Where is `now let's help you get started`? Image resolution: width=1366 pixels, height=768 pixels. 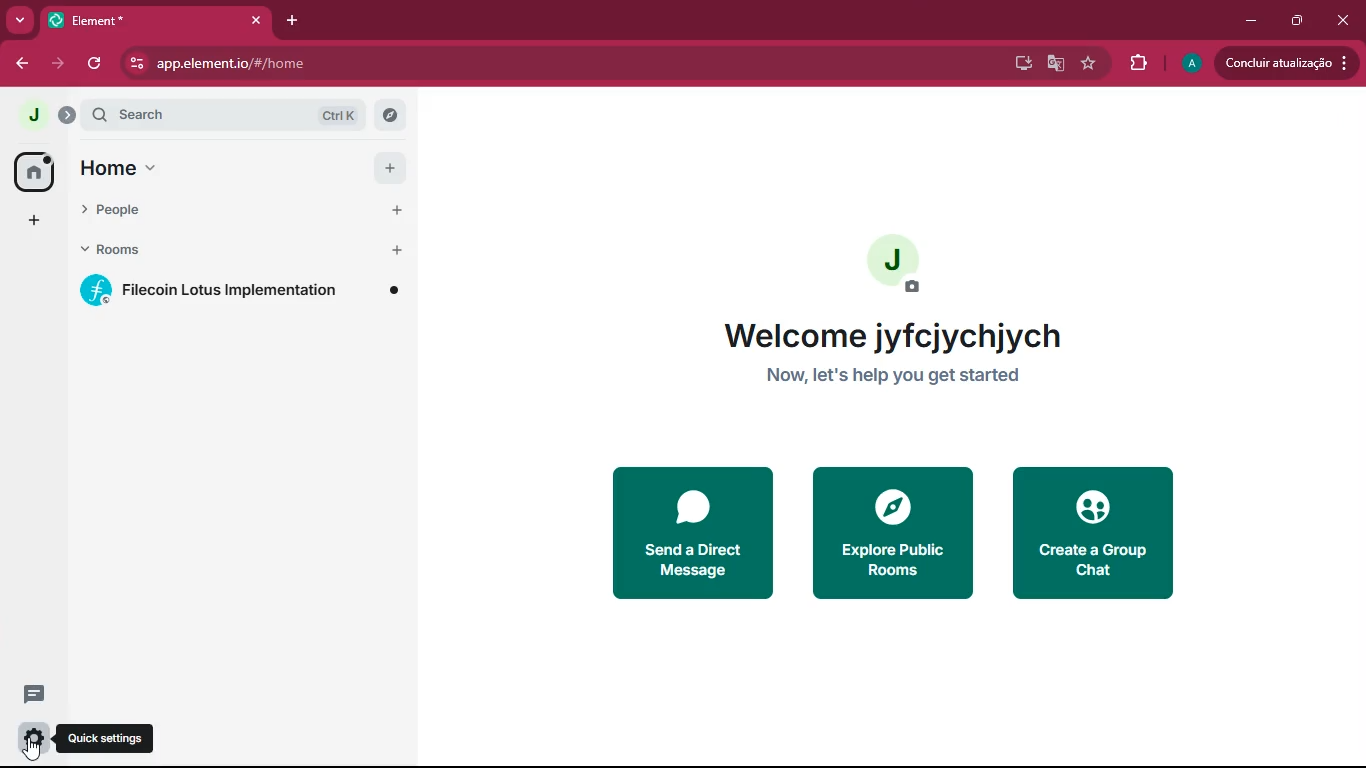 now let's help you get started is located at coordinates (901, 377).